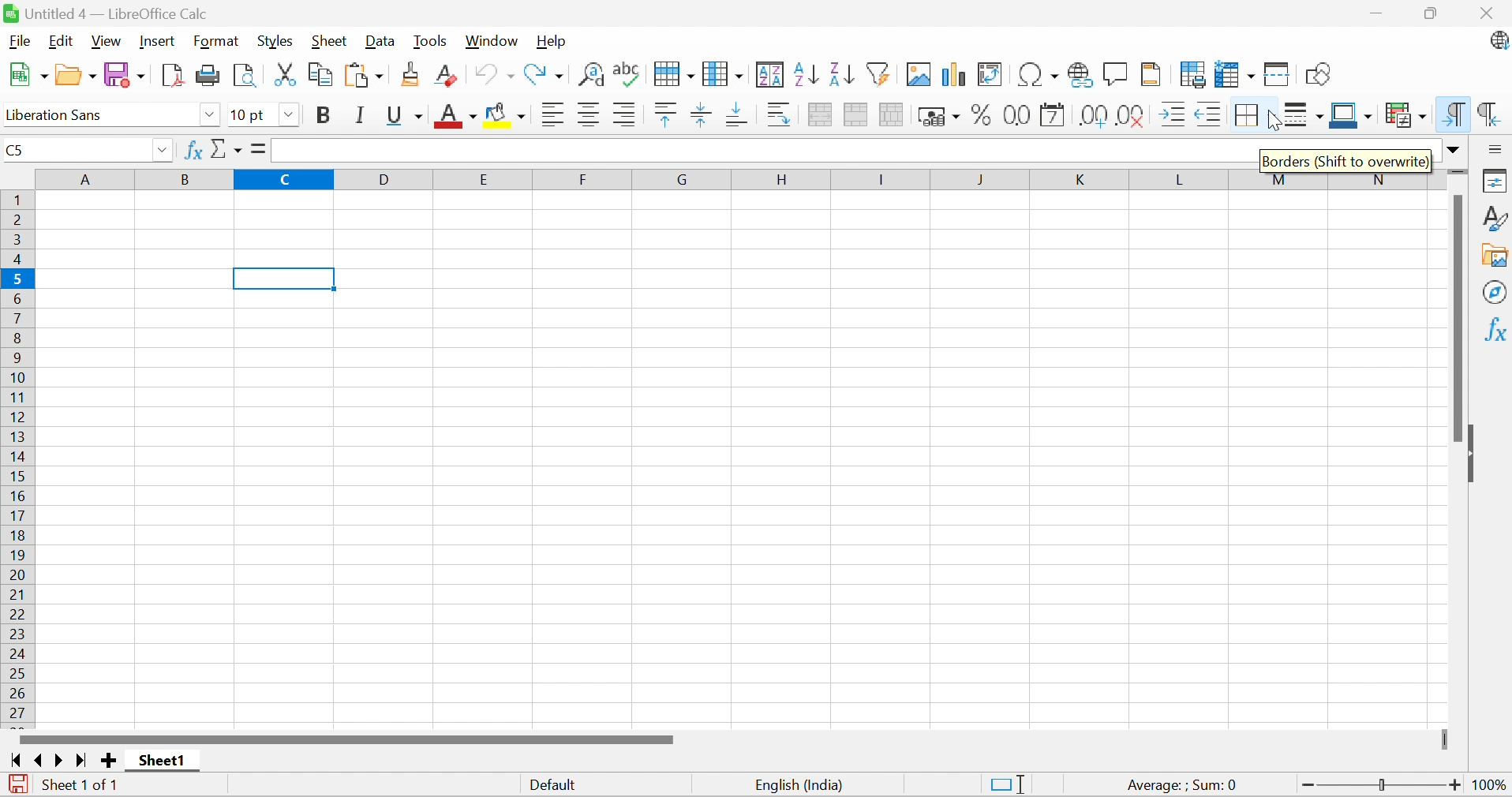  I want to click on Zoom in, so click(1456, 784).